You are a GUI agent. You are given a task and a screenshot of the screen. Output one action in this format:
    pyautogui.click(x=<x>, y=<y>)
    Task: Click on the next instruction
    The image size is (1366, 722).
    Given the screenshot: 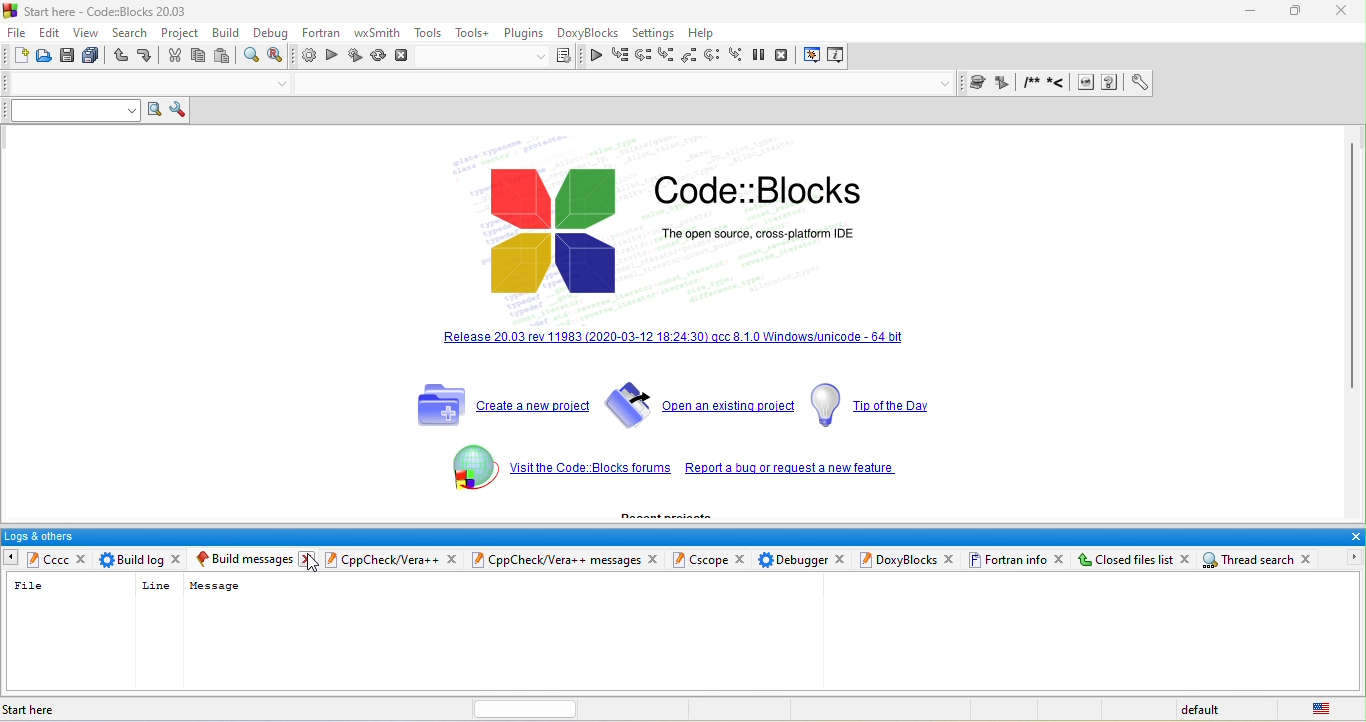 What is the action you would take?
    pyautogui.click(x=712, y=57)
    